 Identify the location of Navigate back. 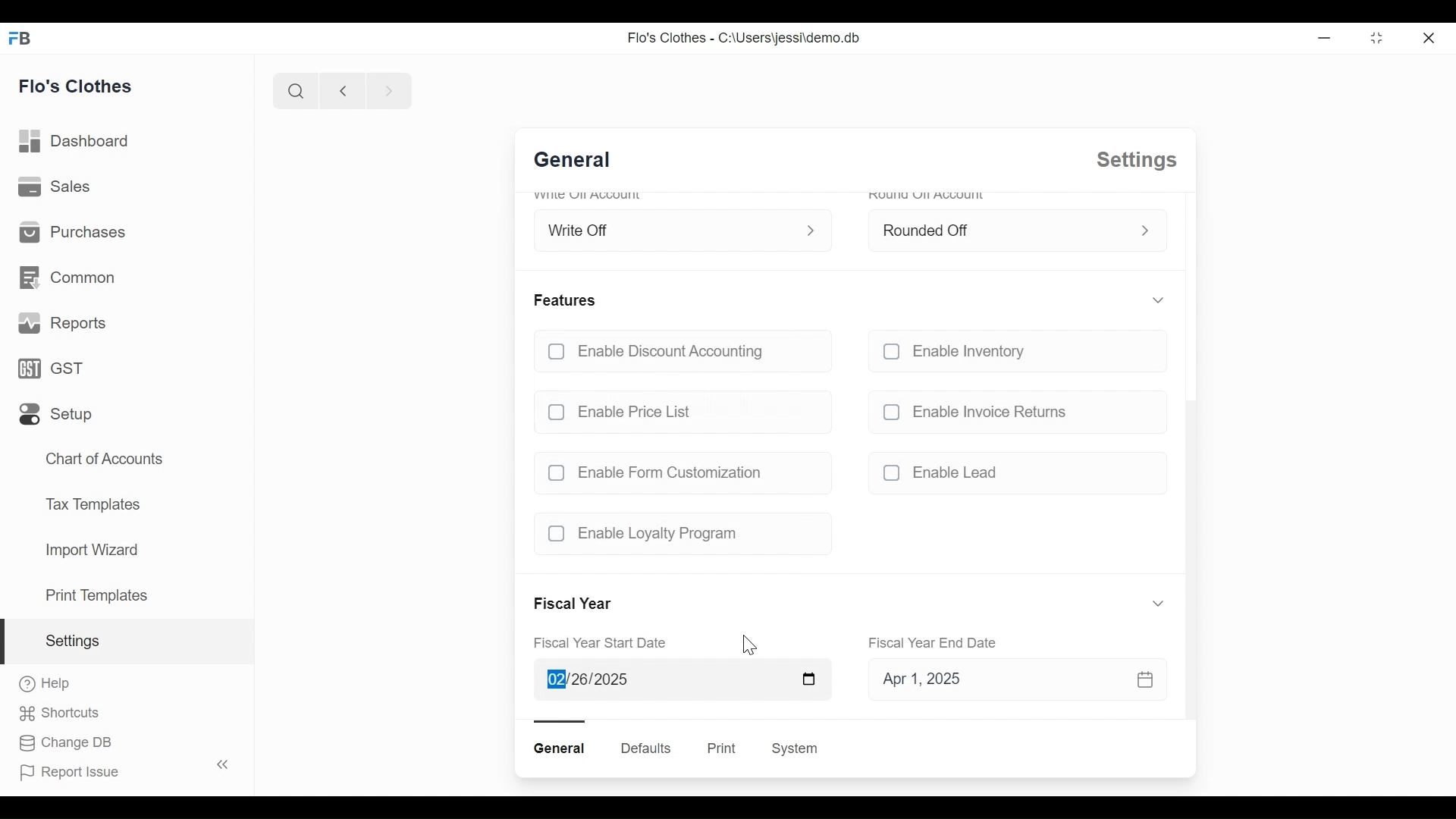
(340, 90).